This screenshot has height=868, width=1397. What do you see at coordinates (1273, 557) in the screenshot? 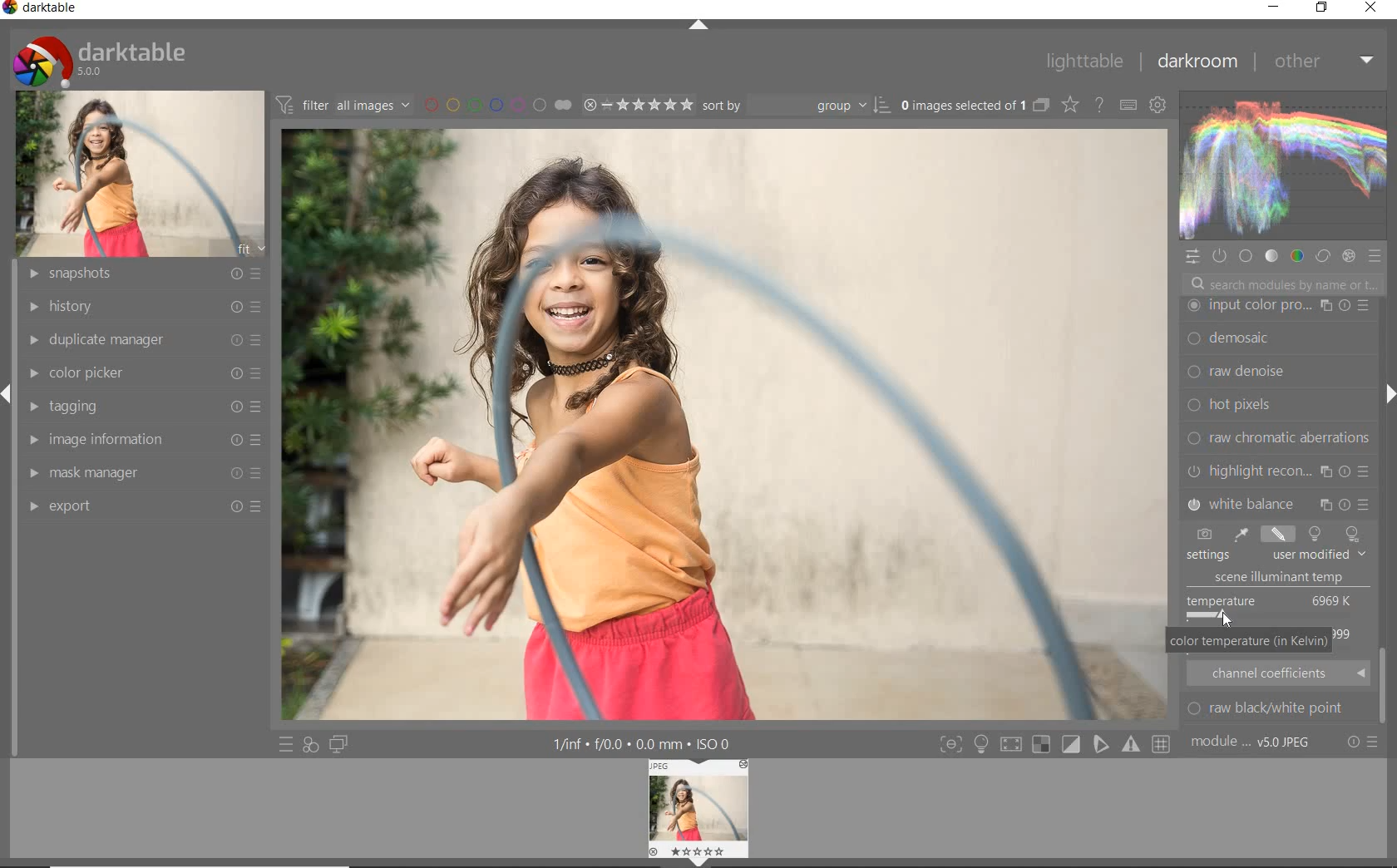
I see `TEMPERATURE` at bounding box center [1273, 557].